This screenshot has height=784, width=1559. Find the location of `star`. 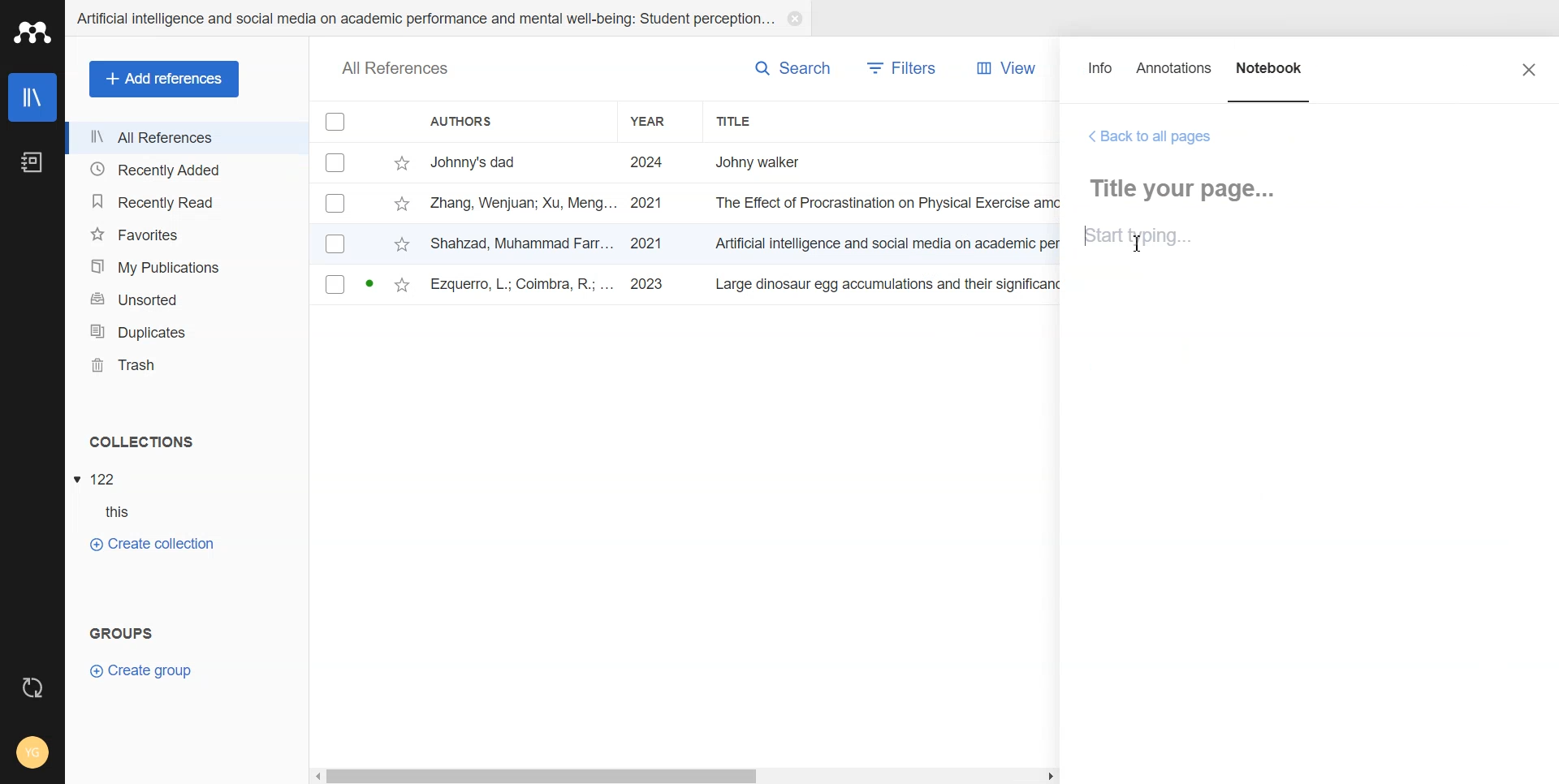

star is located at coordinates (402, 286).